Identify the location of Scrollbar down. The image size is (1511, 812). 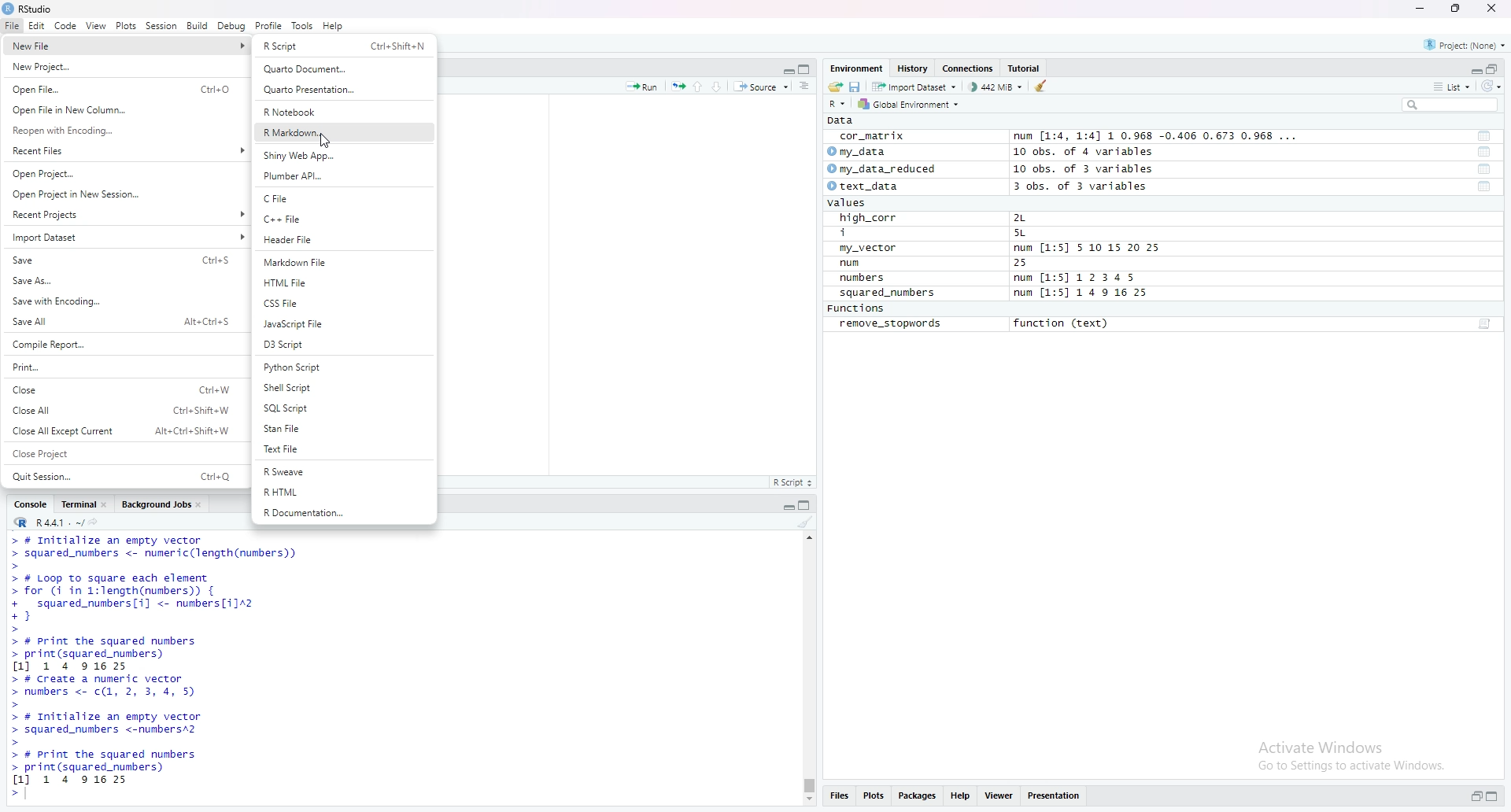
(807, 802).